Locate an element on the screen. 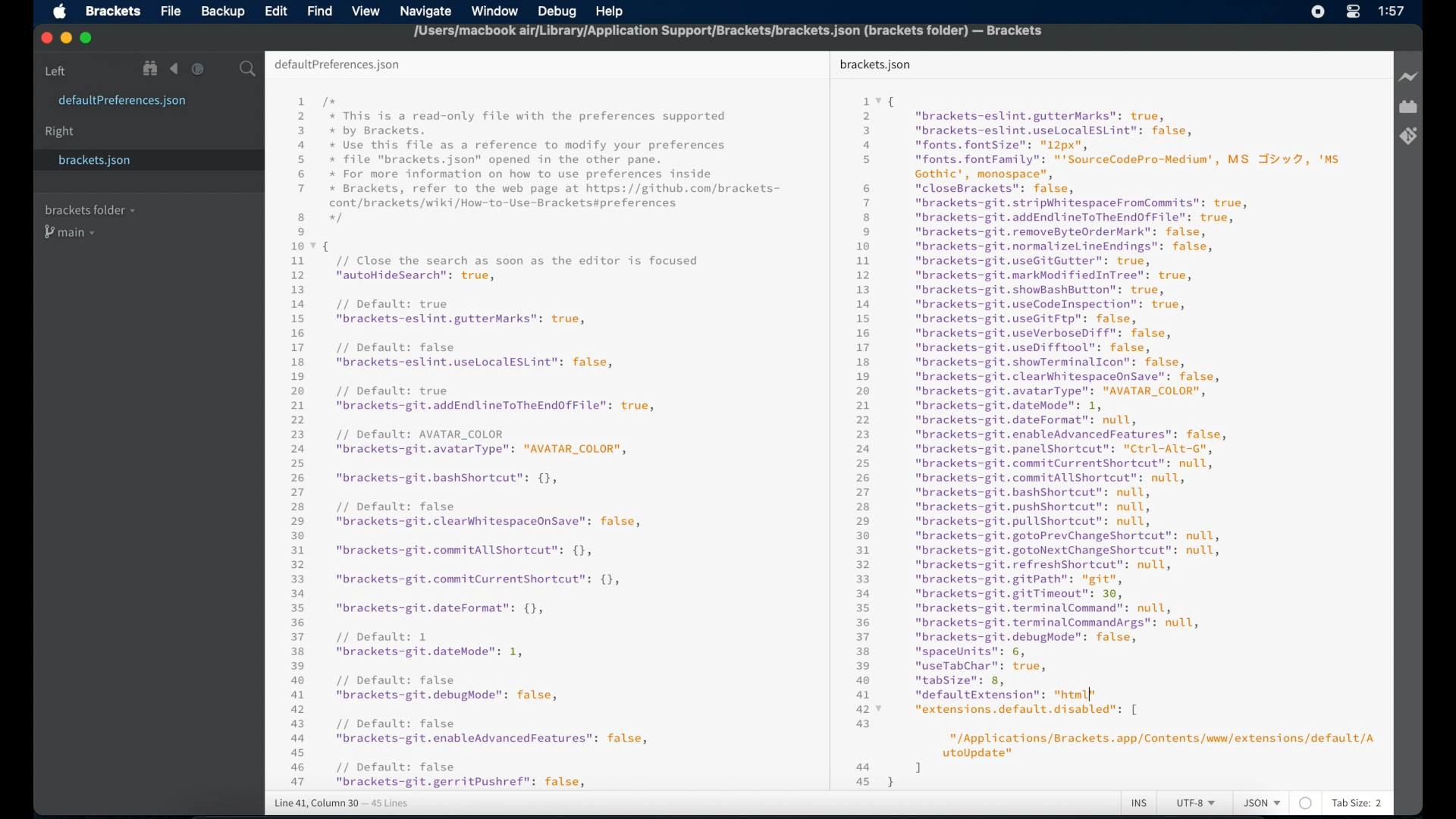  window is located at coordinates (496, 11).